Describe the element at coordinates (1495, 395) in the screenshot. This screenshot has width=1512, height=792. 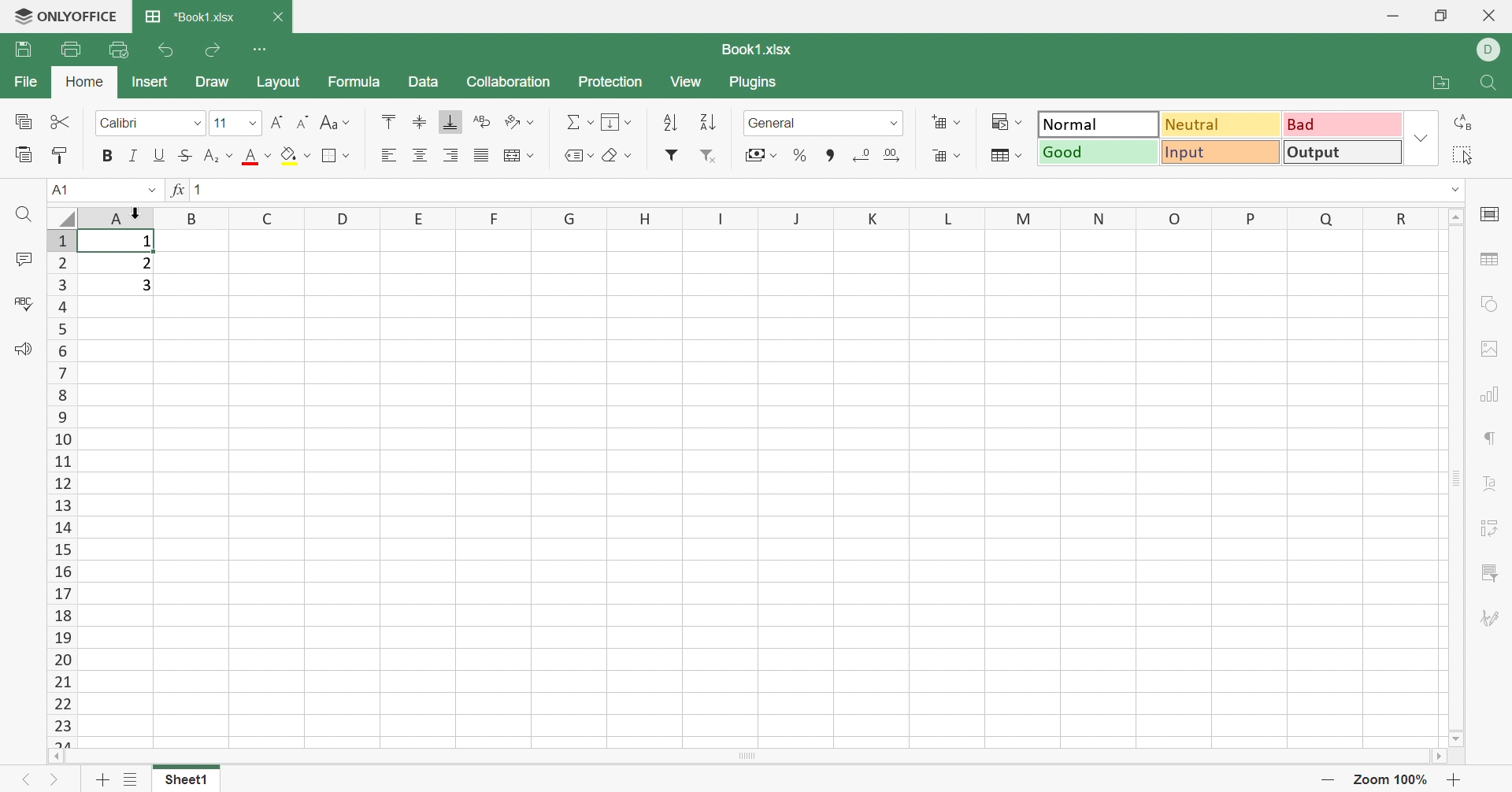
I see `Chart settings` at that location.